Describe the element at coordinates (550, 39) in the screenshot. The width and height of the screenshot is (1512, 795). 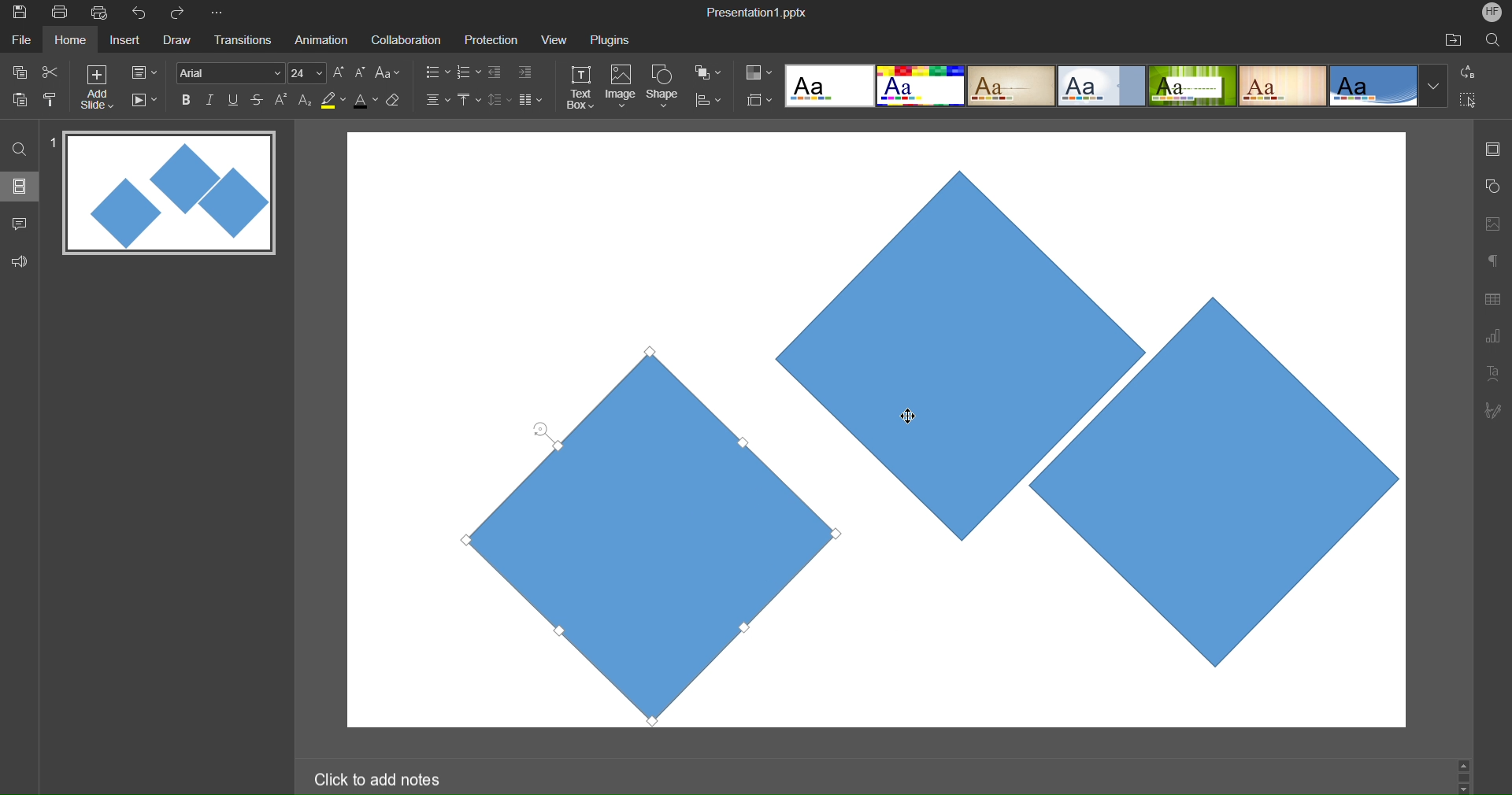
I see `View` at that location.